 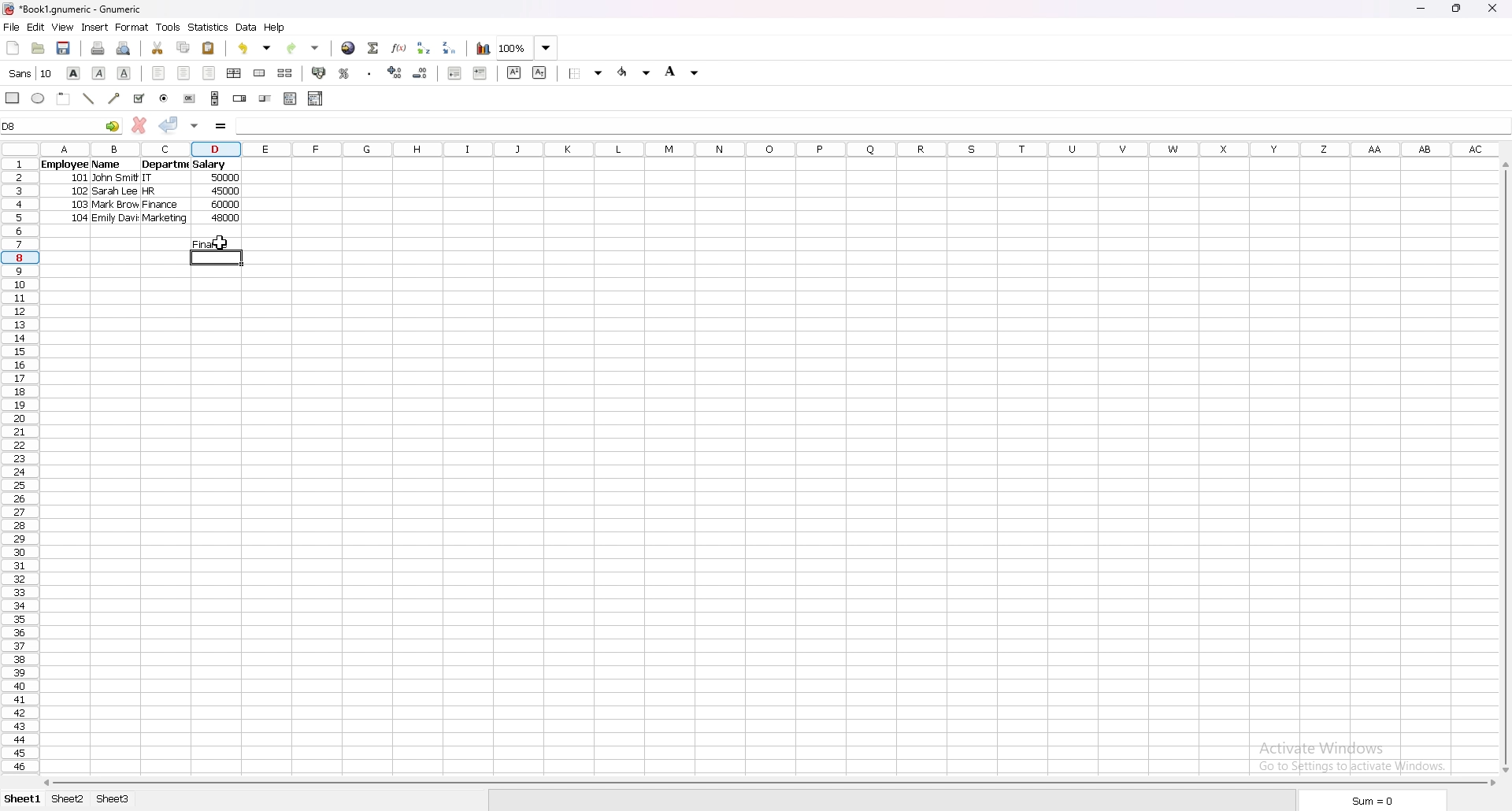 I want to click on help, so click(x=275, y=28).